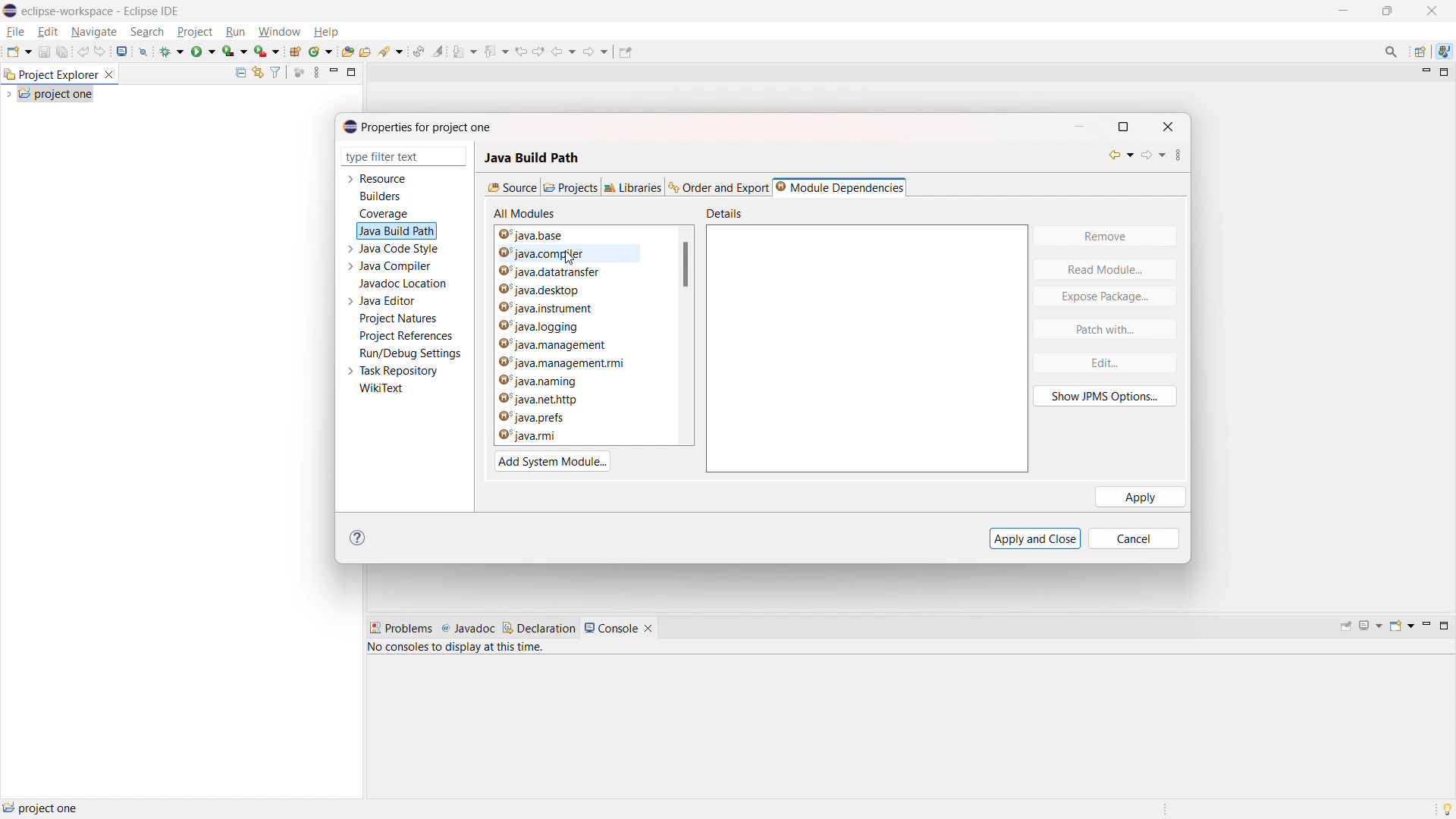 Image resolution: width=1456 pixels, height=819 pixels. I want to click on open type, so click(348, 51).